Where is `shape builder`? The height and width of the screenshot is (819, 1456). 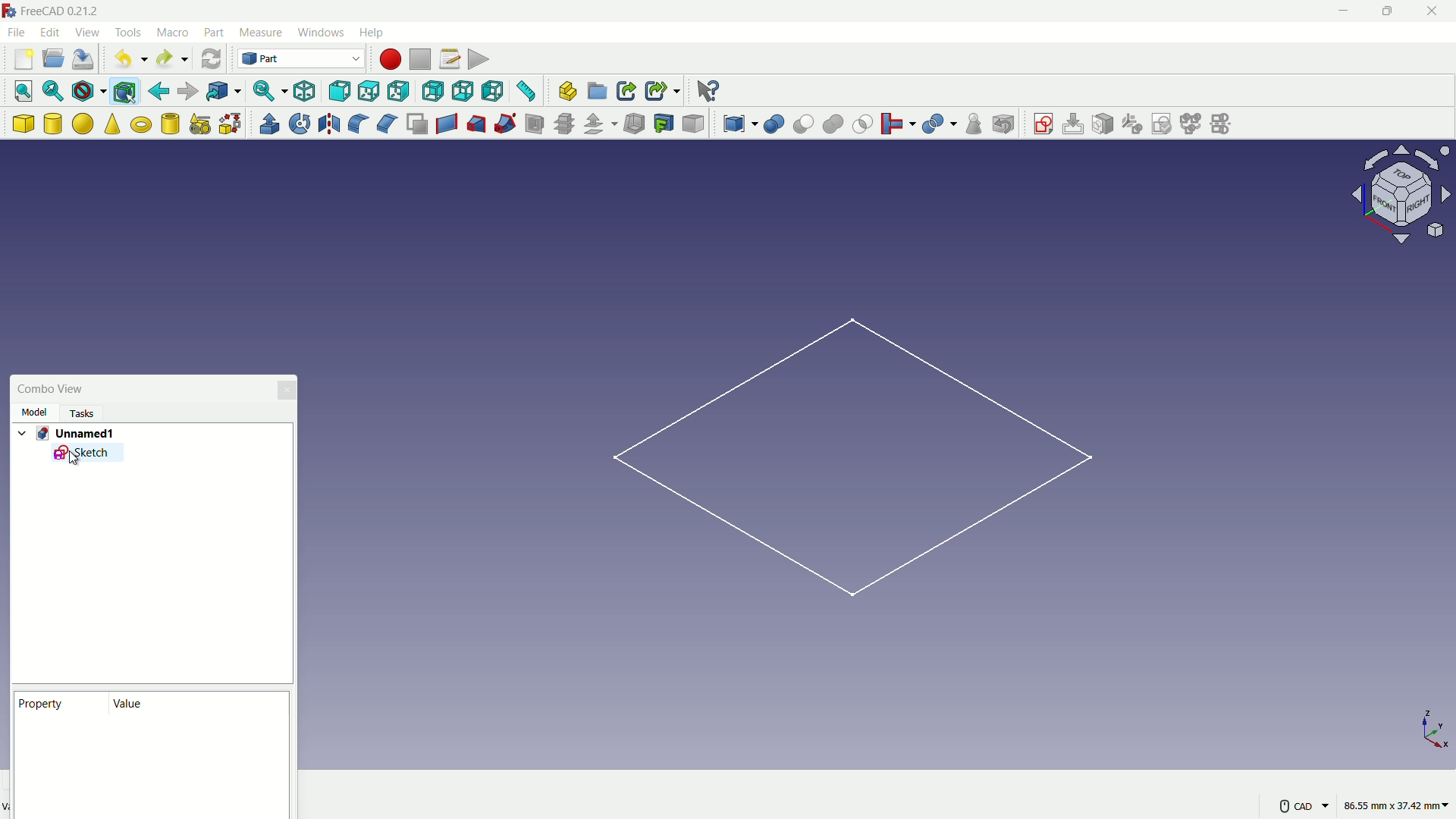 shape builder is located at coordinates (231, 124).